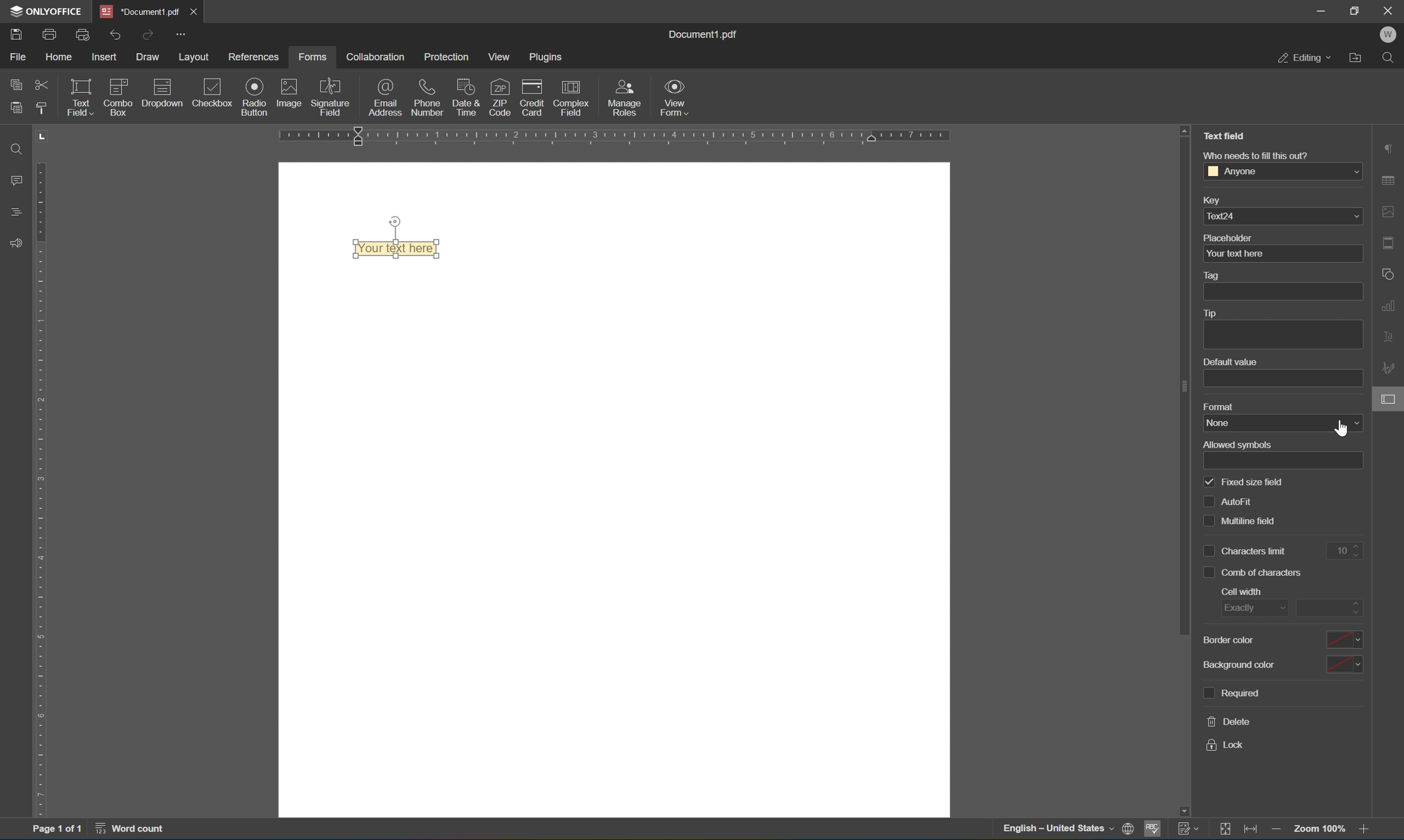 The image size is (1404, 840). What do you see at coordinates (16, 36) in the screenshot?
I see `save` at bounding box center [16, 36].